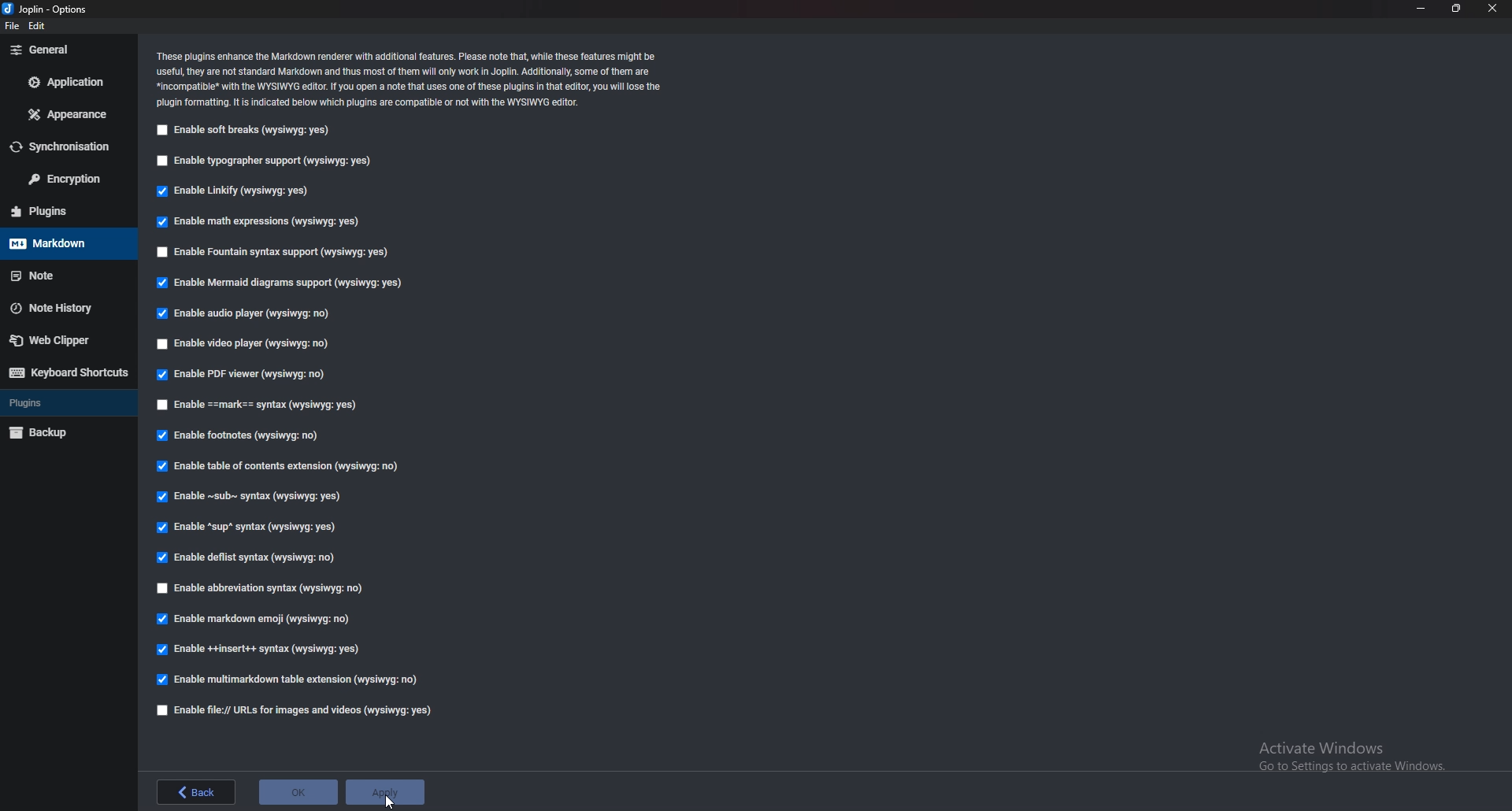 This screenshot has height=811, width=1512. What do you see at coordinates (66, 148) in the screenshot?
I see `Synchronization` at bounding box center [66, 148].